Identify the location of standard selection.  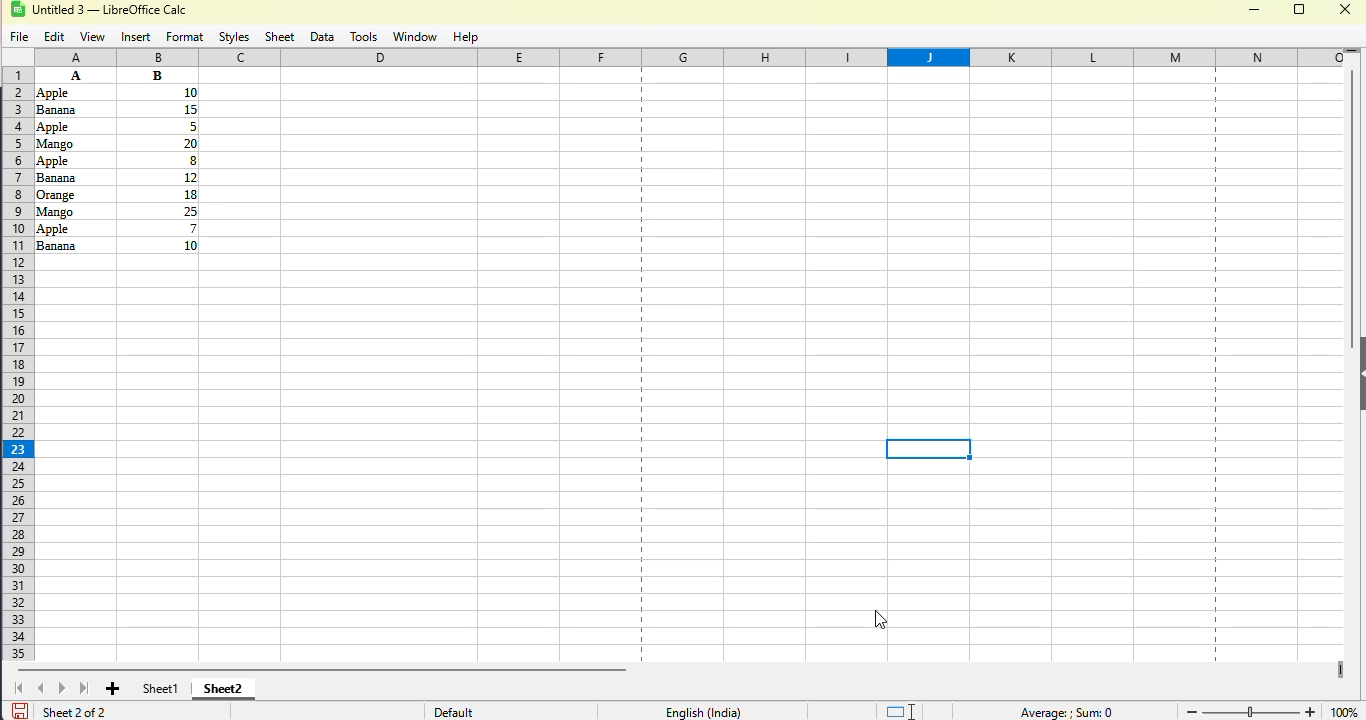
(899, 710).